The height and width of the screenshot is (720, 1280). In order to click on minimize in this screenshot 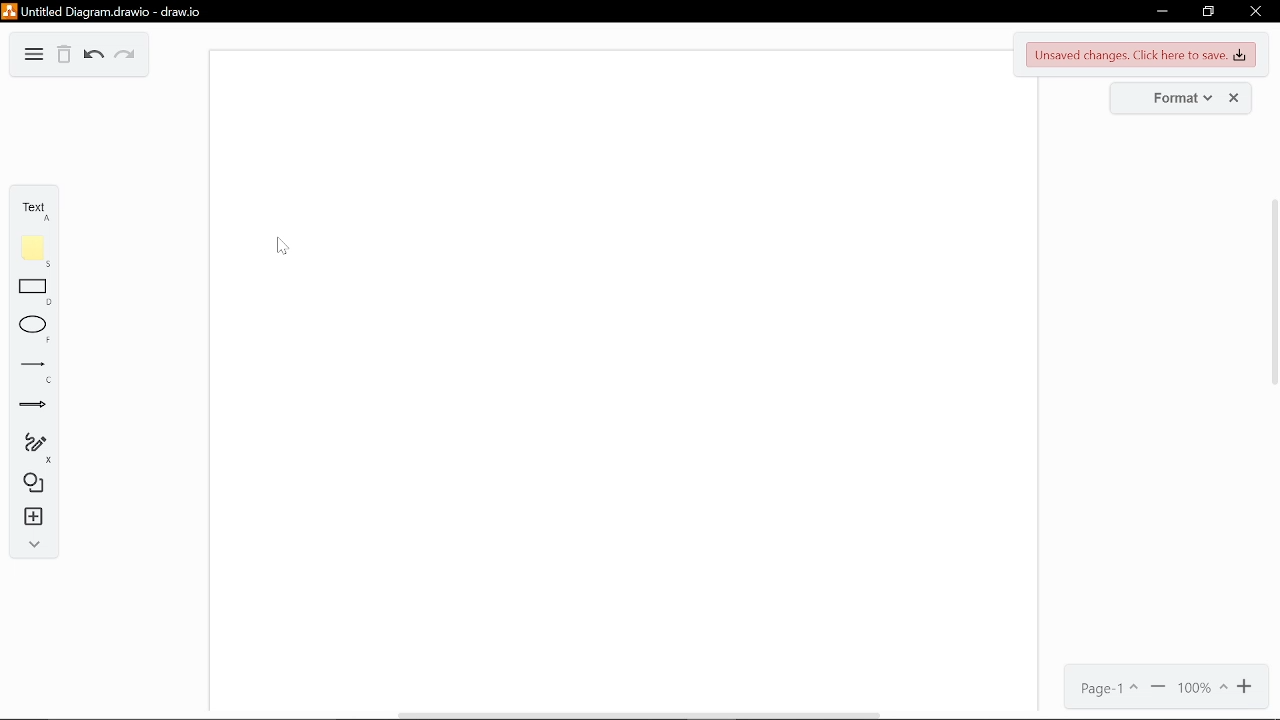, I will do `click(1162, 12)`.